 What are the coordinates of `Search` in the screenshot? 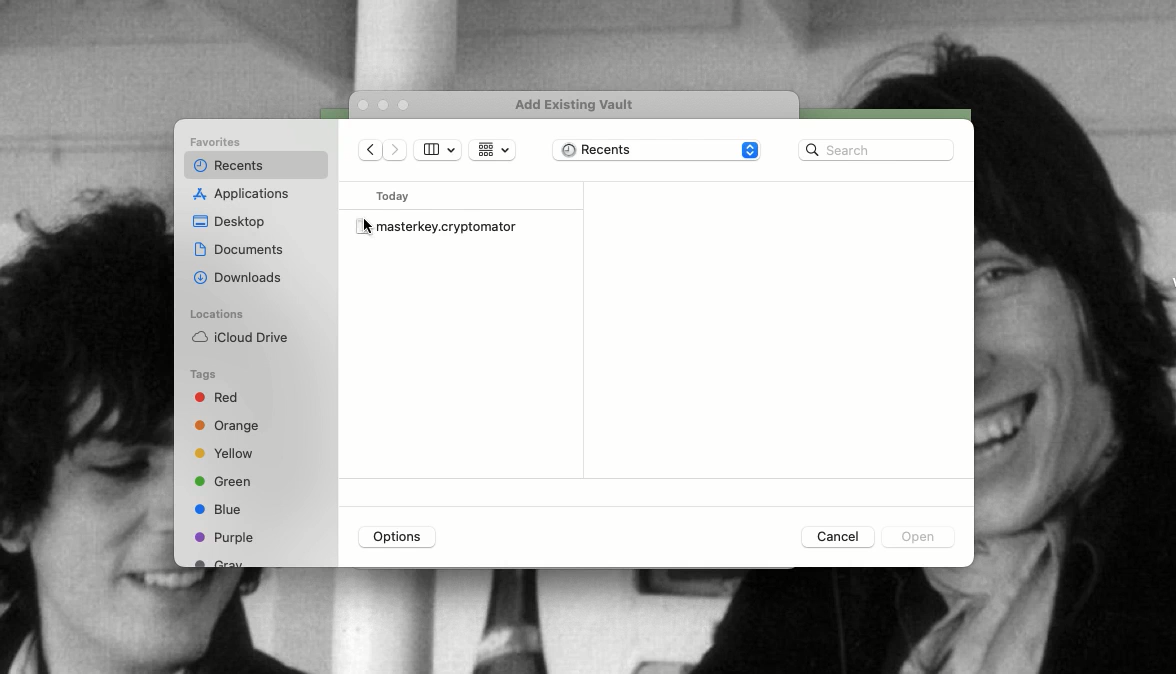 It's located at (876, 150).